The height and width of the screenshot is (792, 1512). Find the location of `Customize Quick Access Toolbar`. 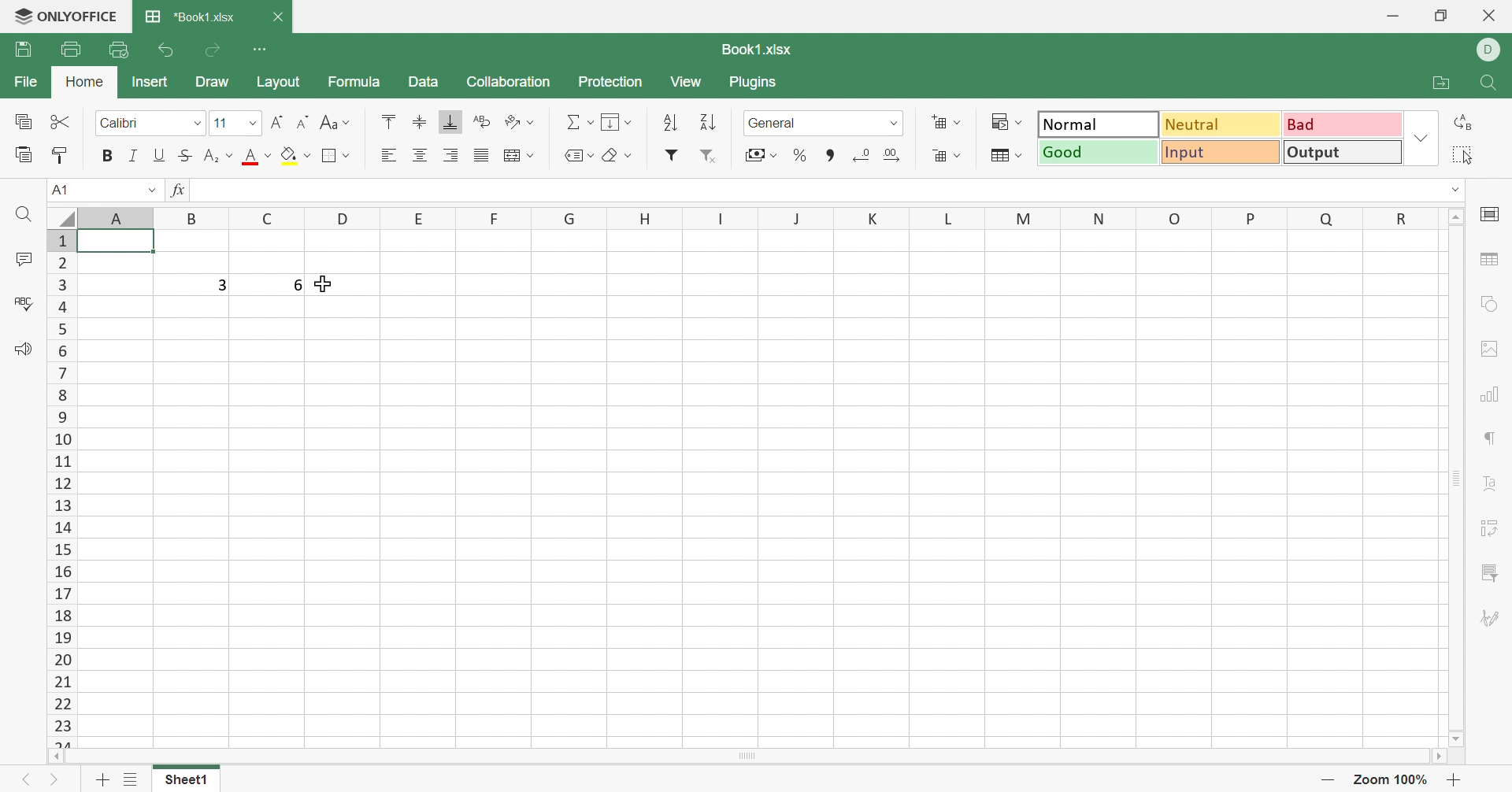

Customize Quick Access Toolbar is located at coordinates (258, 48).